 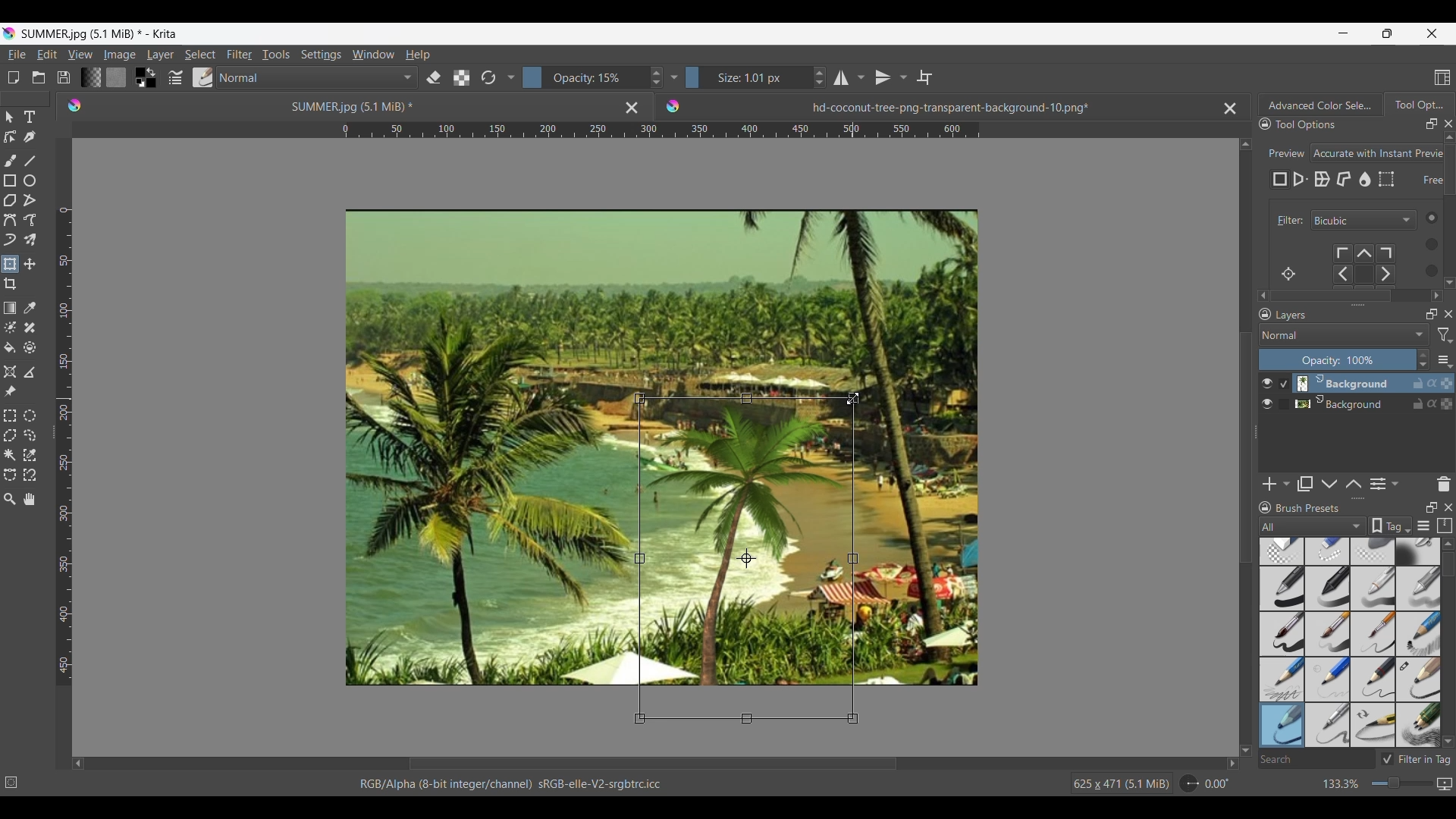 I want to click on Minimize, so click(x=1343, y=33).